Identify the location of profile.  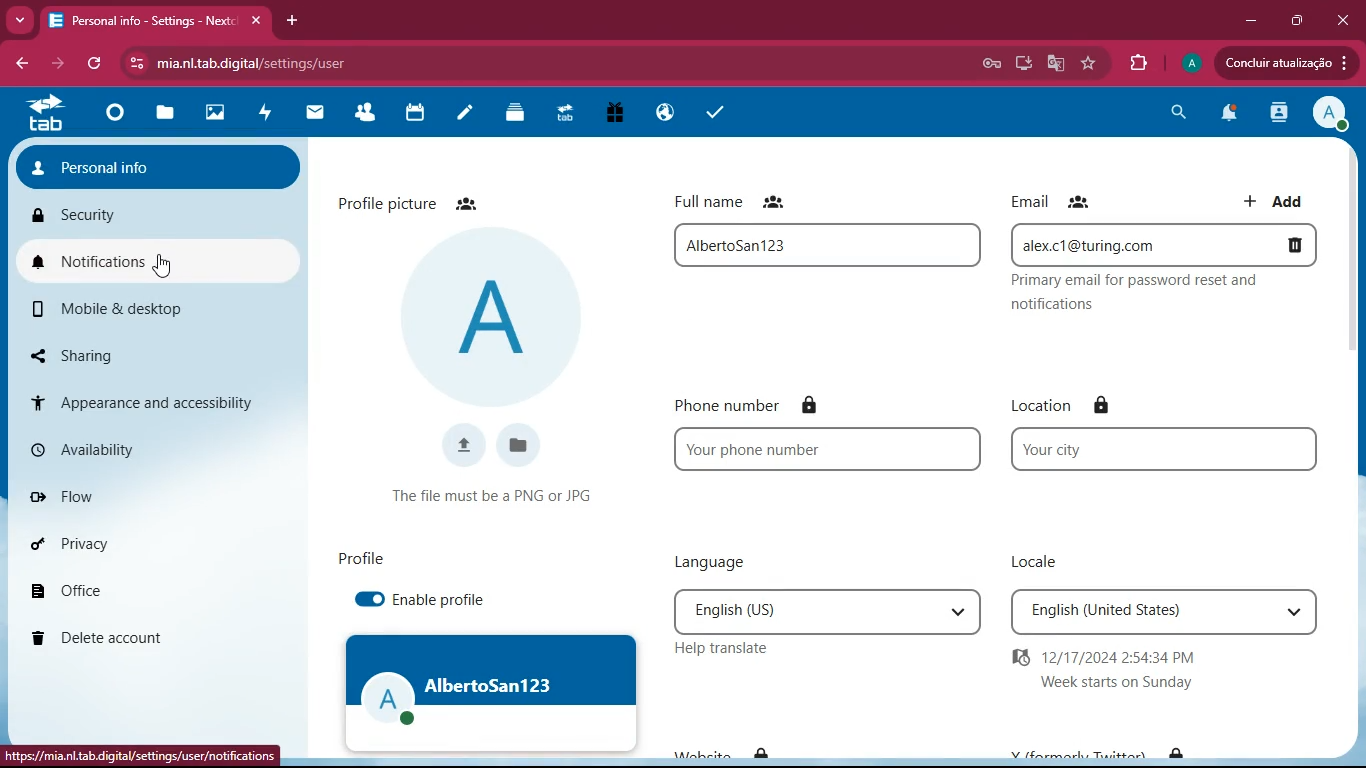
(1329, 116).